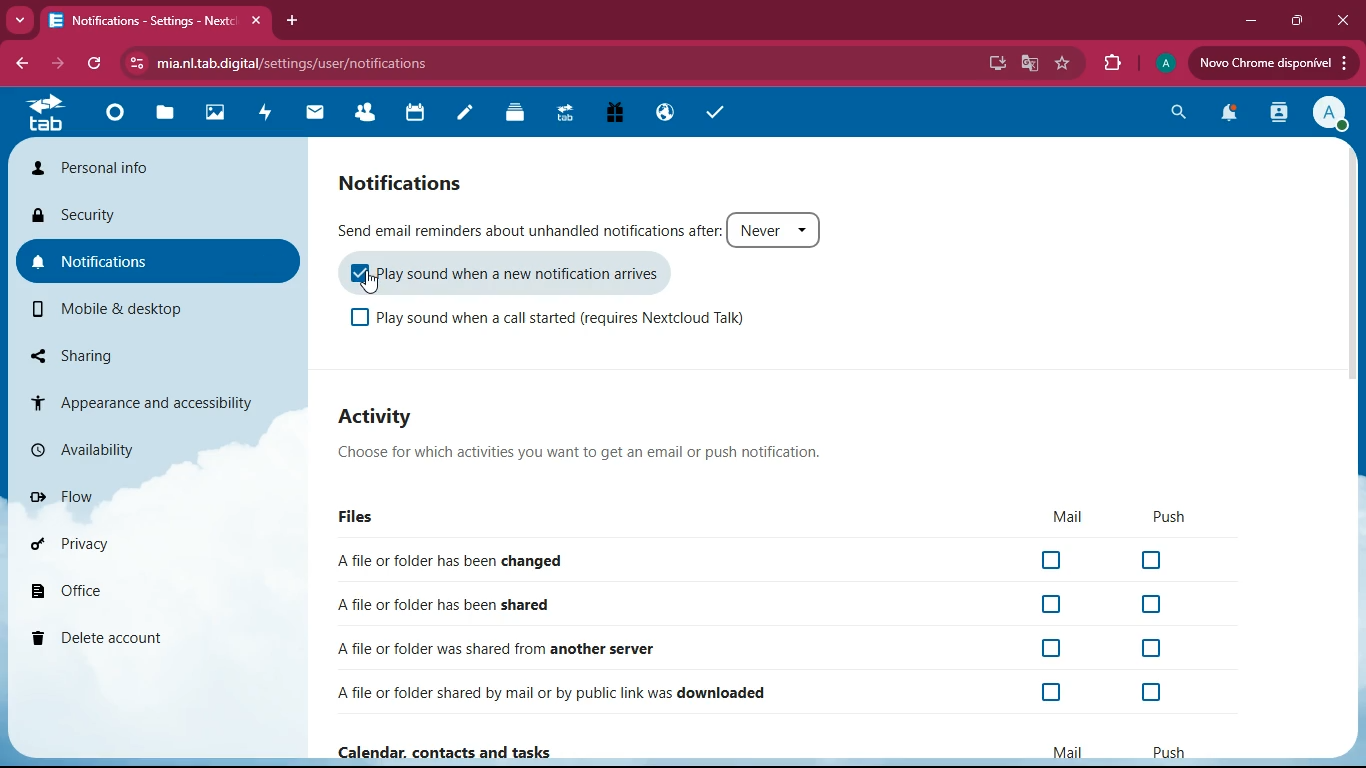  What do you see at coordinates (153, 212) in the screenshot?
I see `security` at bounding box center [153, 212].